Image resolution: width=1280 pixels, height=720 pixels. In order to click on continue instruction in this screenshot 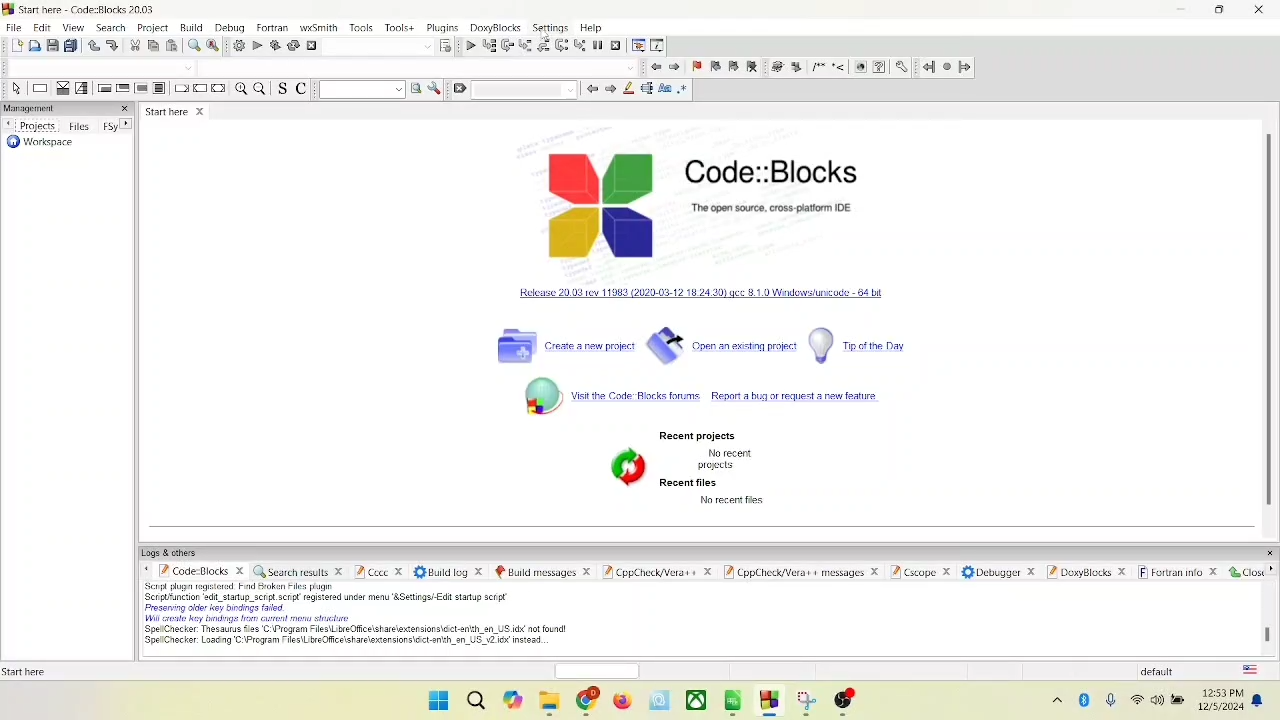, I will do `click(201, 88)`.